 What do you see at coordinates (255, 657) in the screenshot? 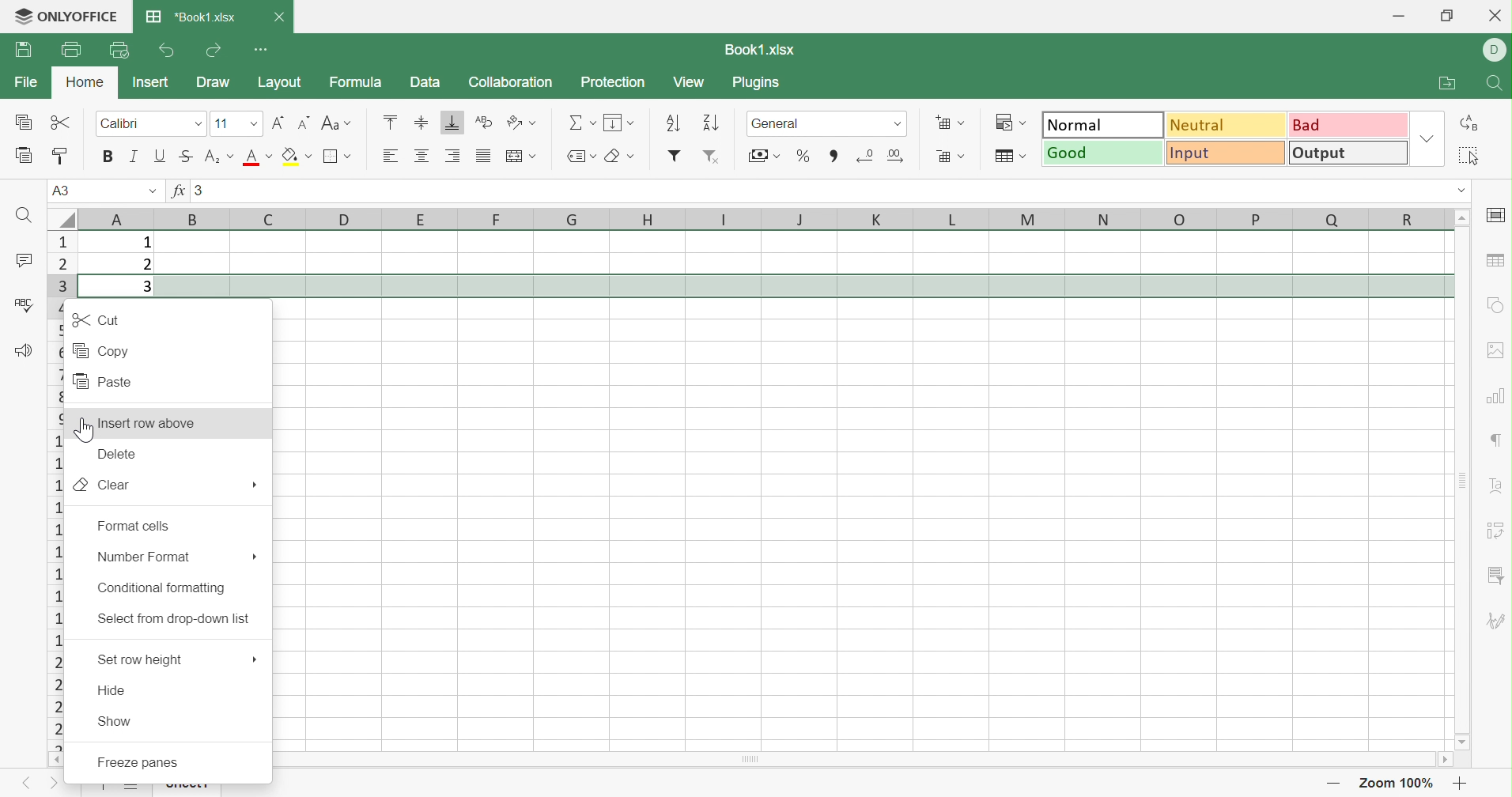
I see `More` at bounding box center [255, 657].